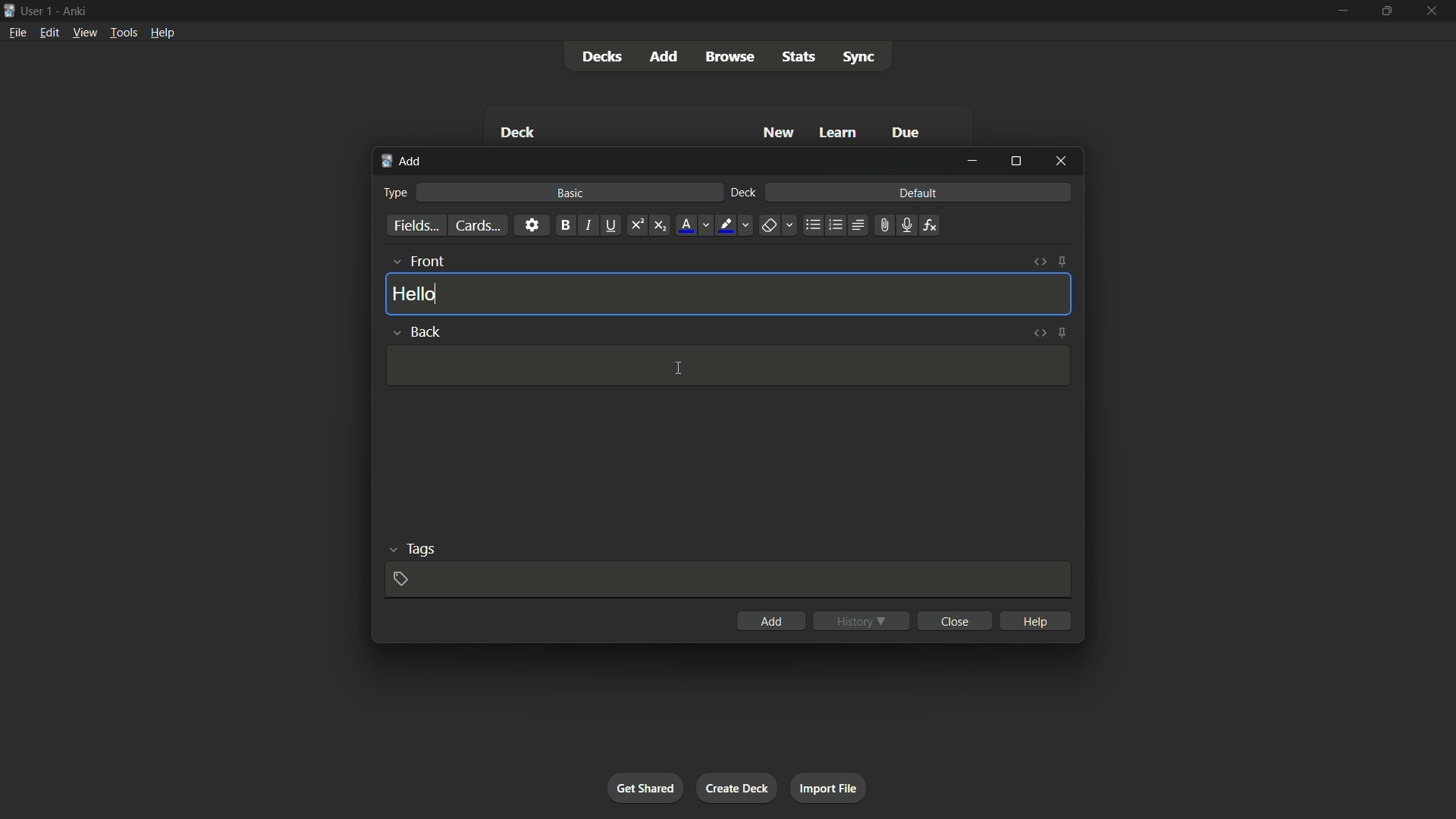 This screenshot has width=1456, height=819. Describe the element at coordinates (660, 225) in the screenshot. I see `subscript` at that location.